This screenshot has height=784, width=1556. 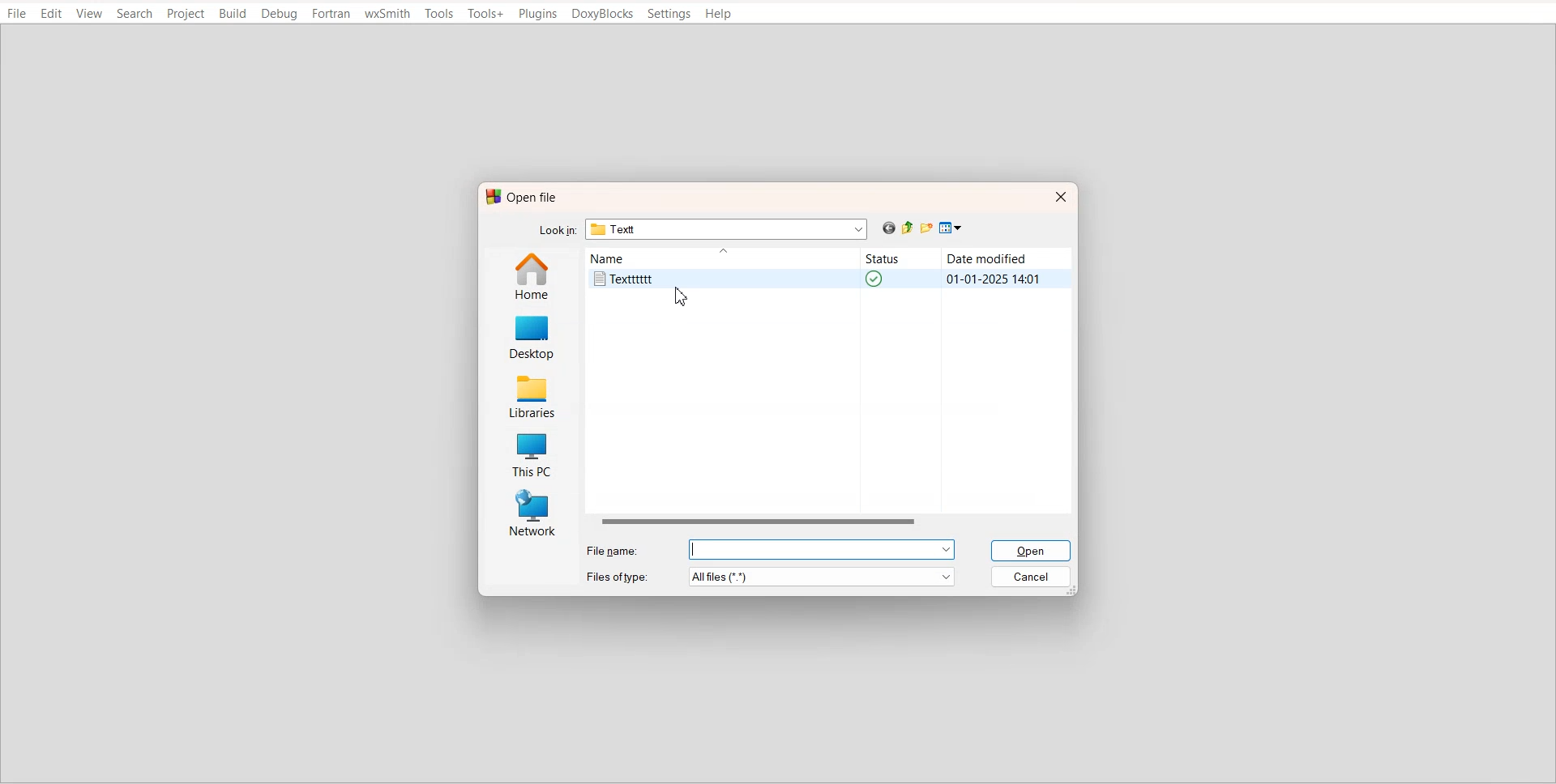 What do you see at coordinates (1031, 575) in the screenshot?
I see `Cancel` at bounding box center [1031, 575].